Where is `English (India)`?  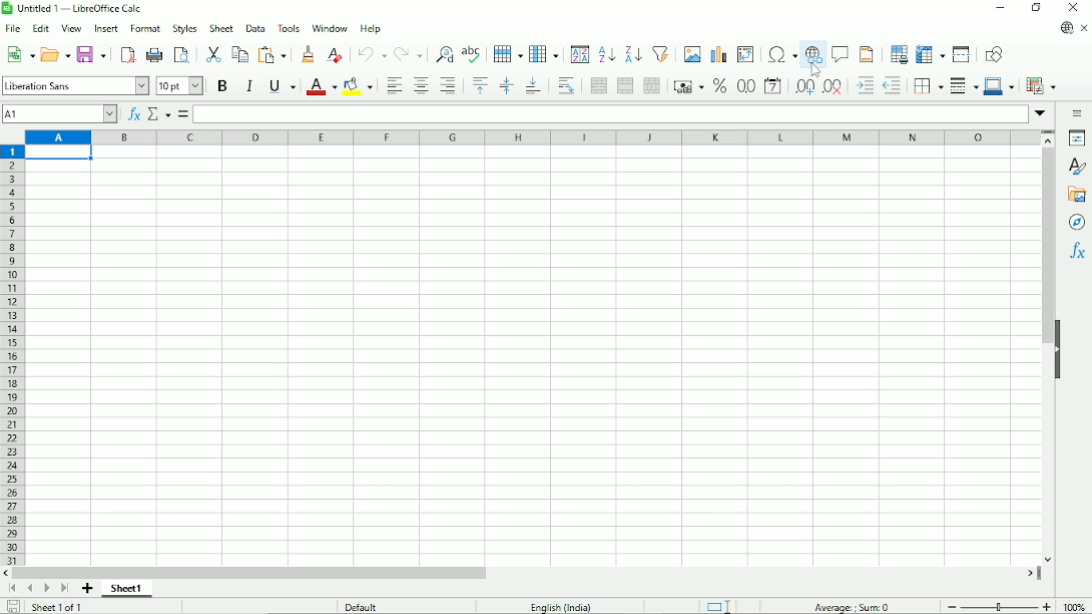 English (India) is located at coordinates (559, 605).